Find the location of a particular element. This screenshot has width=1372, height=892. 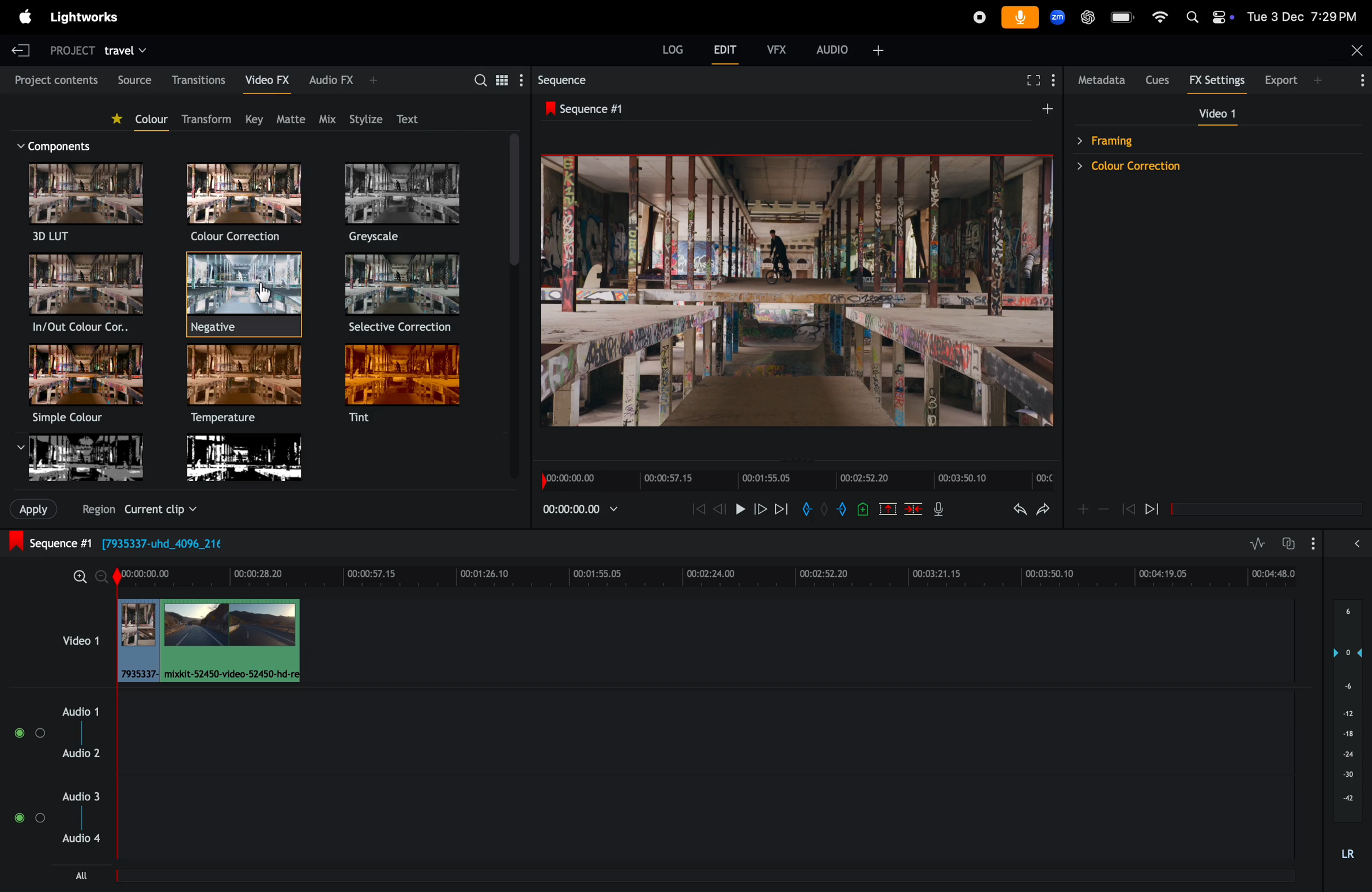

zoom out is located at coordinates (80, 577).